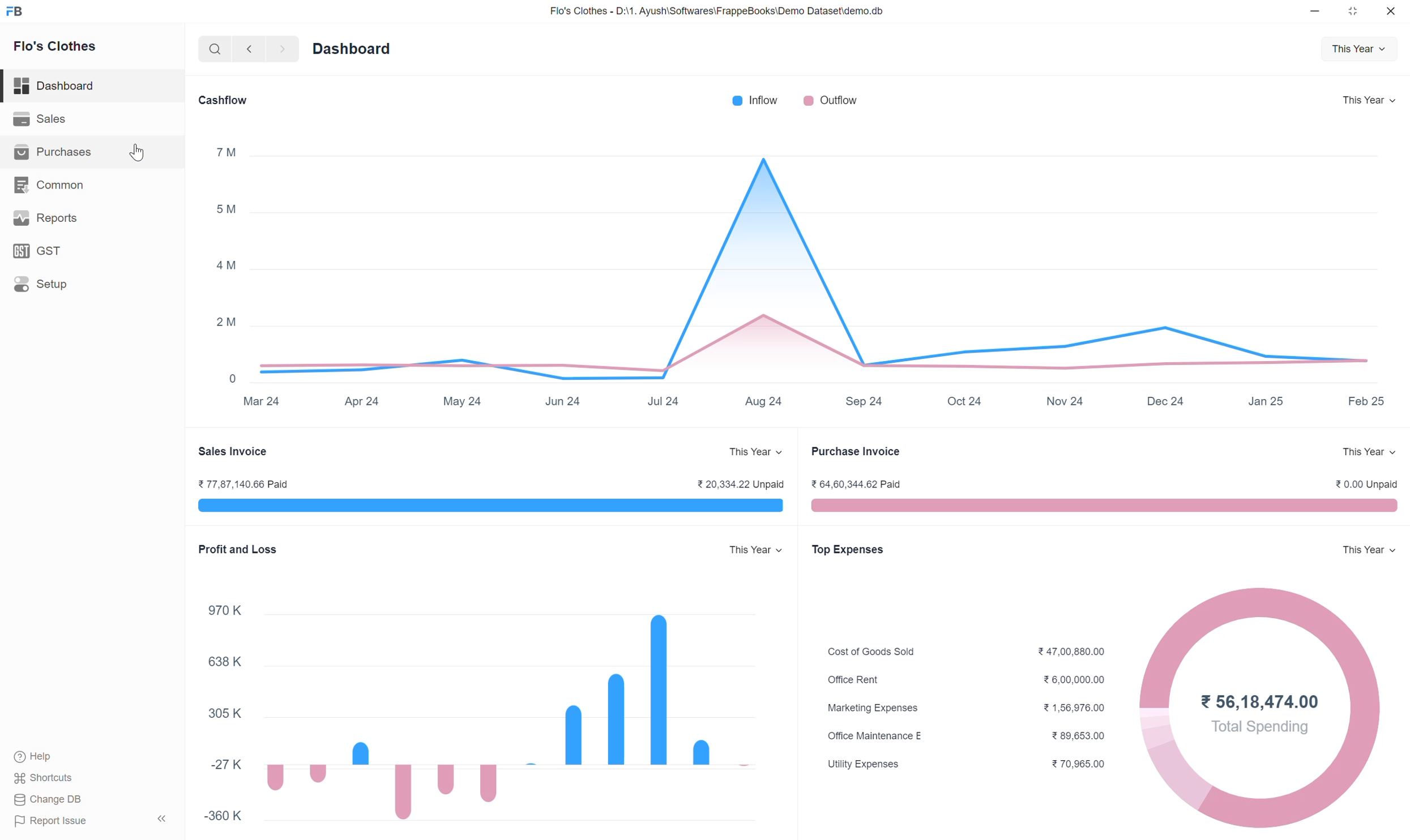 The image size is (1410, 840). Describe the element at coordinates (510, 704) in the screenshot. I see `Profit and Loss graph` at that location.